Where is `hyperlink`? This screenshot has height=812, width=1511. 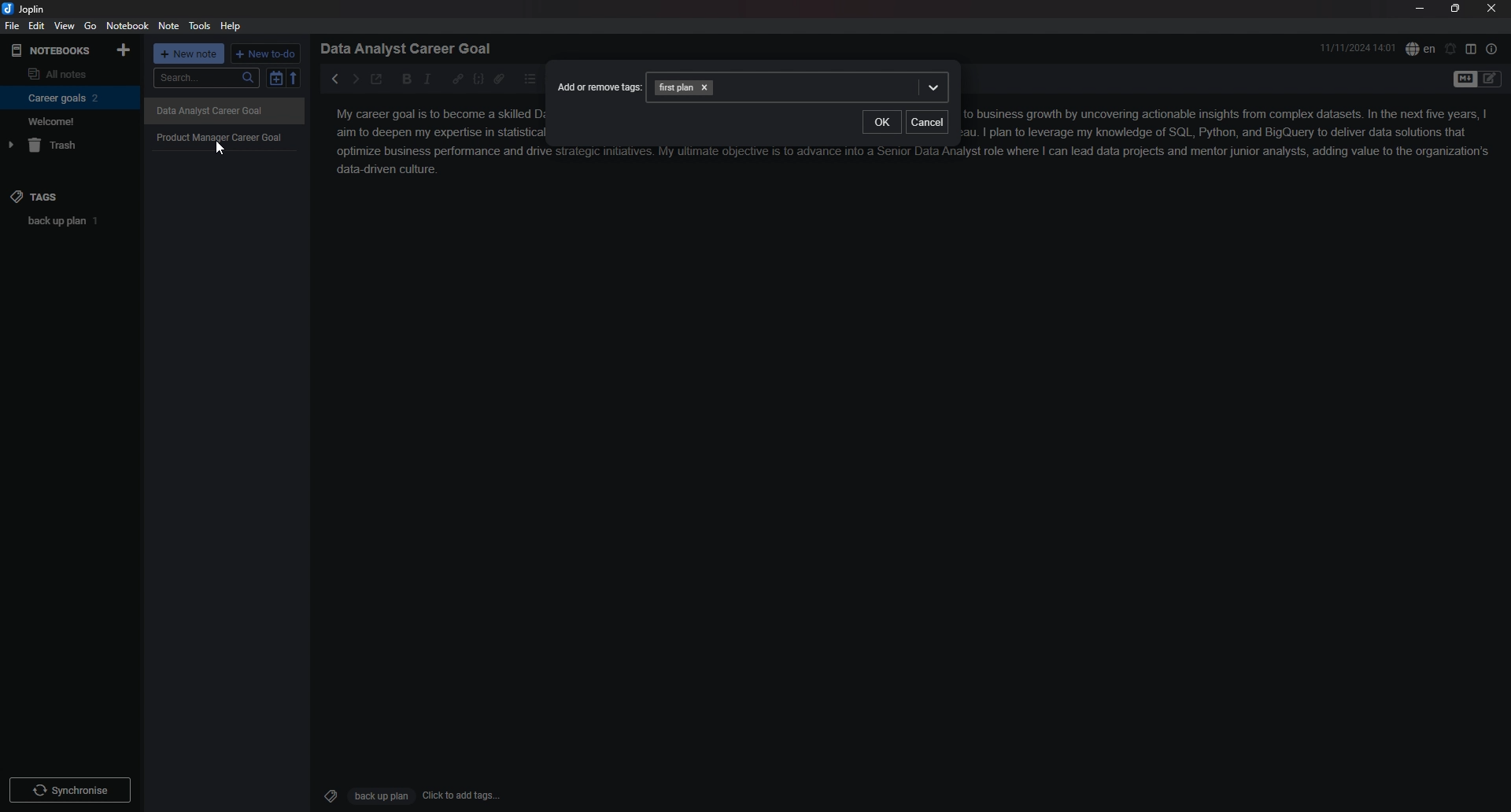 hyperlink is located at coordinates (457, 79).